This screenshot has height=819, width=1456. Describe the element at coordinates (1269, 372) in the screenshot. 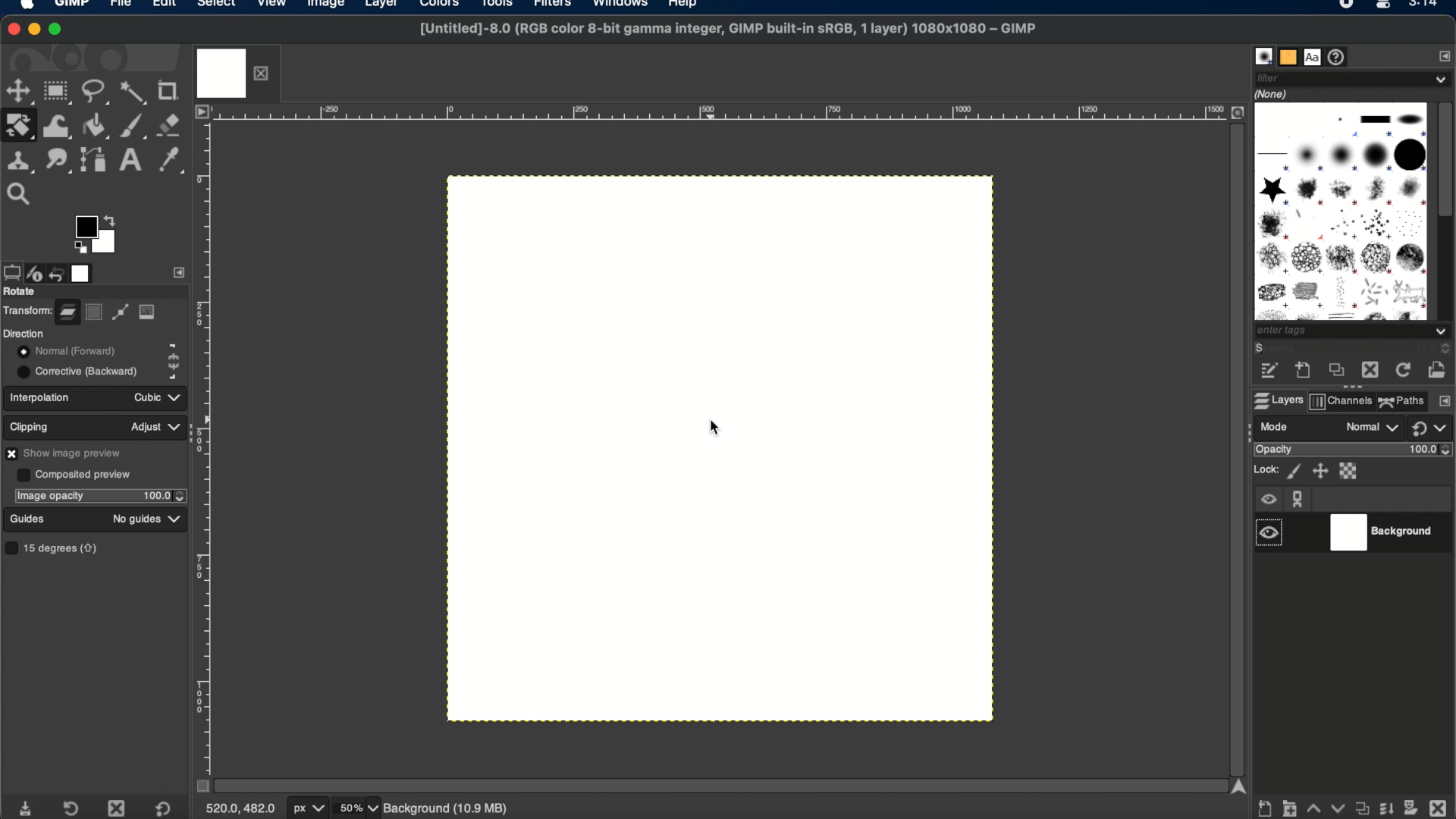

I see `edit this brush` at that location.